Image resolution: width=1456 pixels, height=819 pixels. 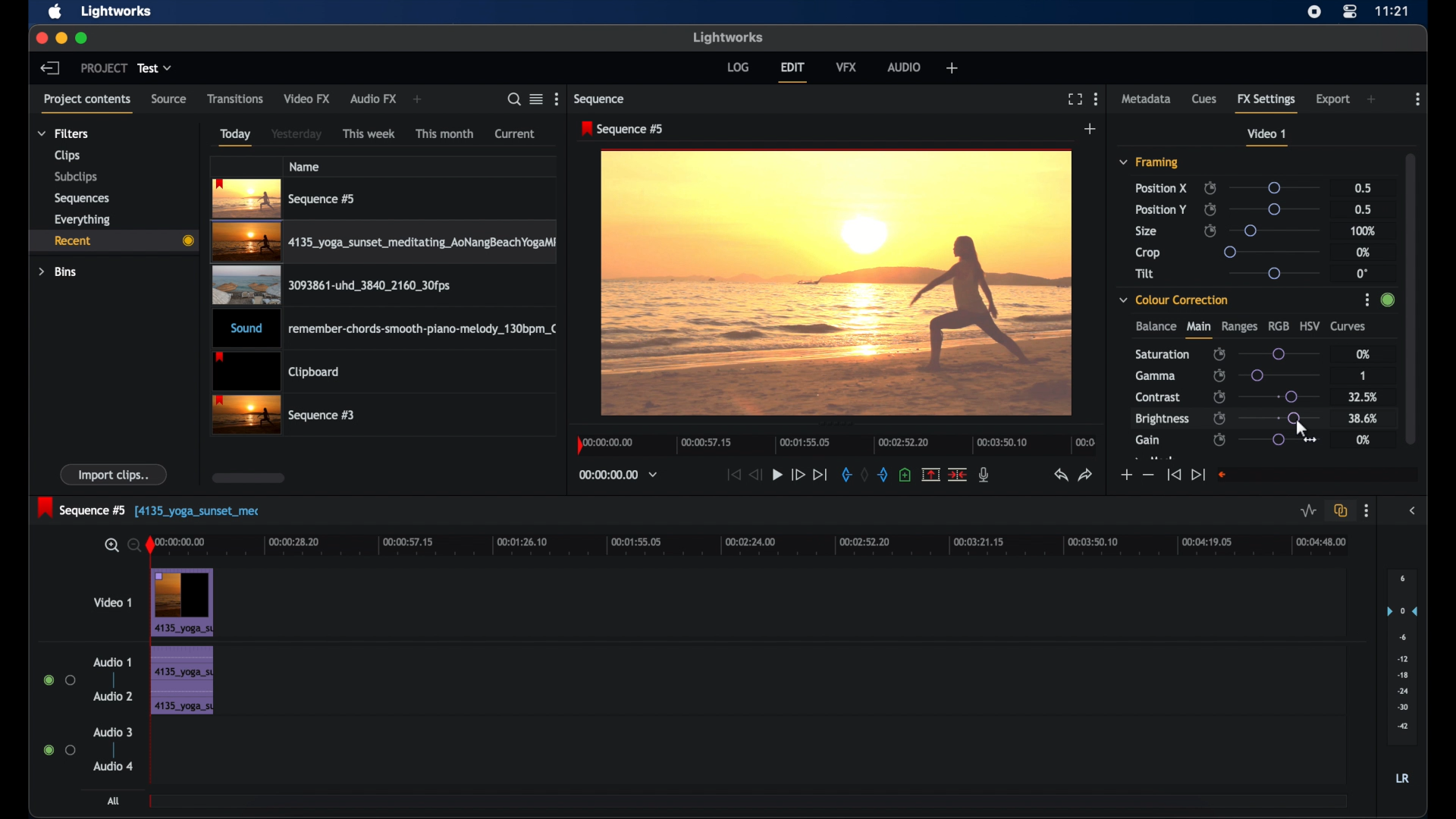 What do you see at coordinates (115, 474) in the screenshot?
I see `import clips` at bounding box center [115, 474].